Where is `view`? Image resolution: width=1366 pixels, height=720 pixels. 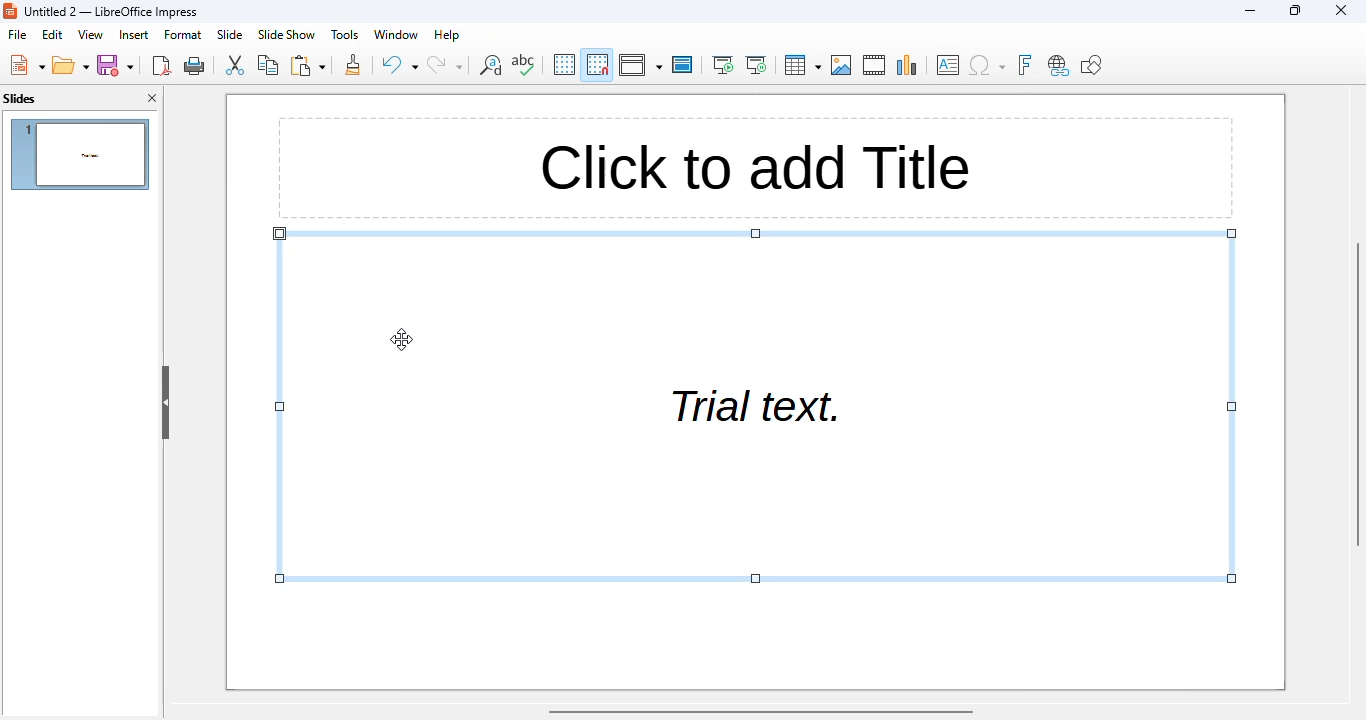 view is located at coordinates (91, 34).